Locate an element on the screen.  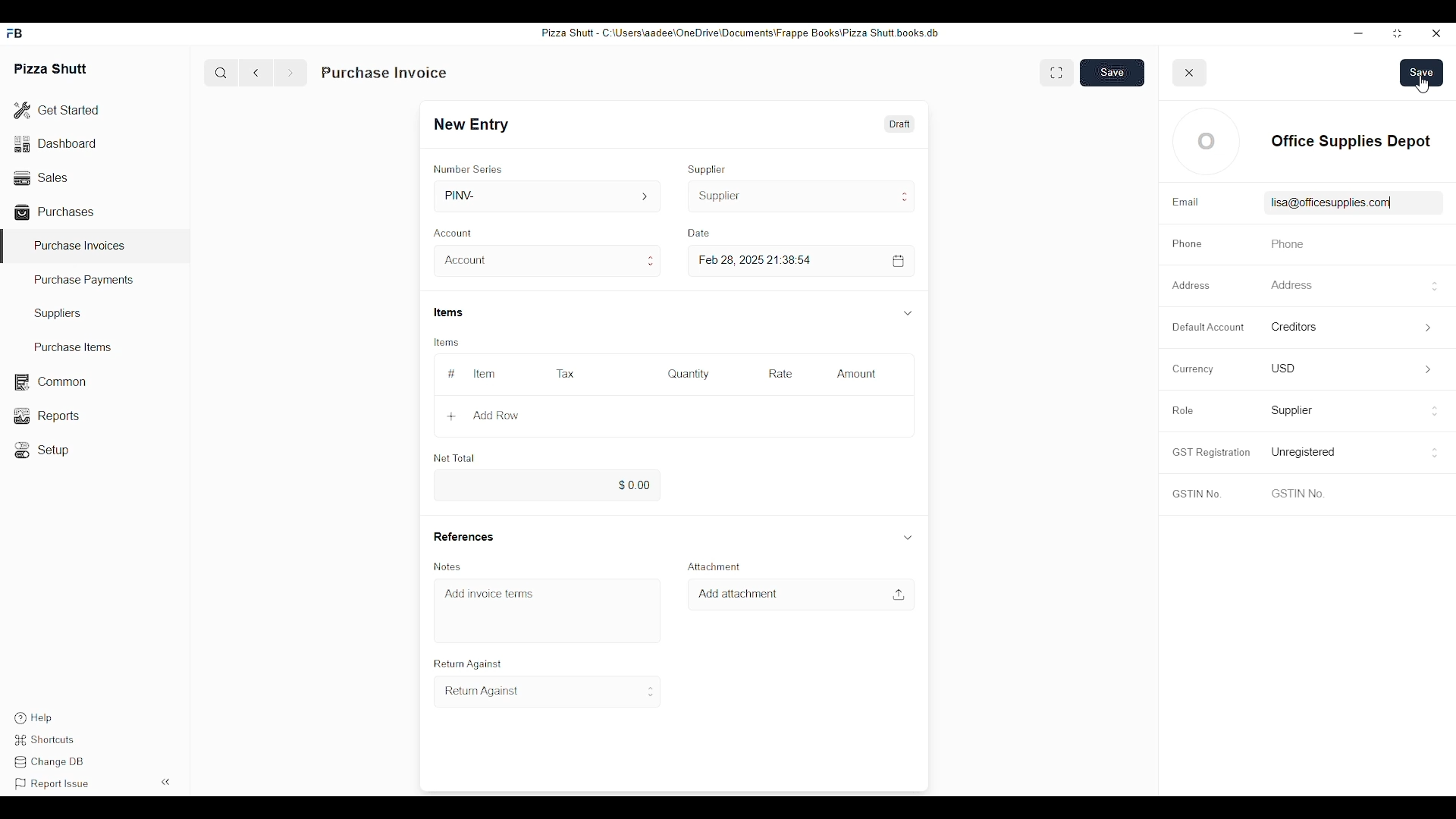
Office Supplies Depot is located at coordinates (1350, 140).